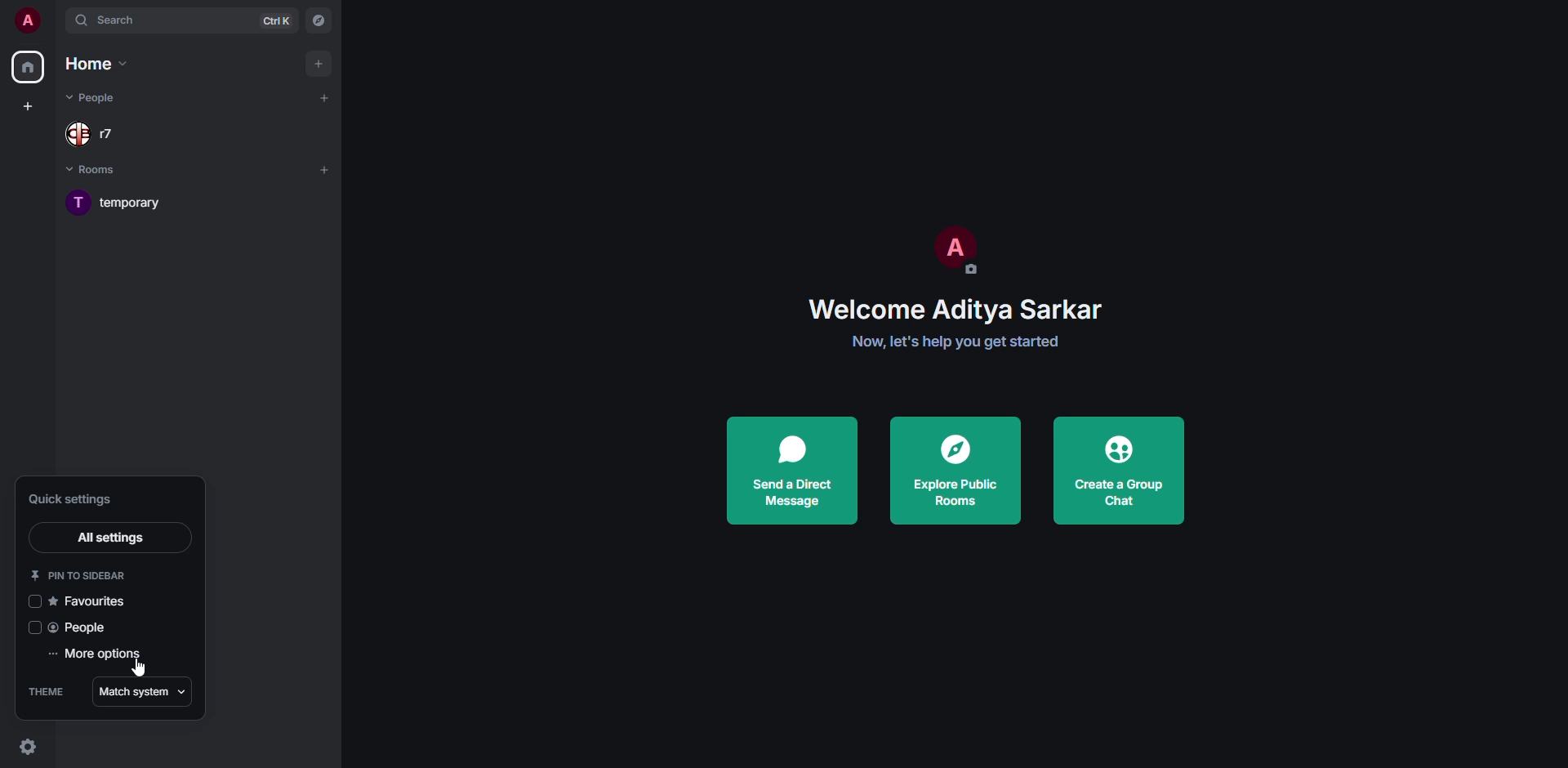  I want to click on people, so click(95, 136).